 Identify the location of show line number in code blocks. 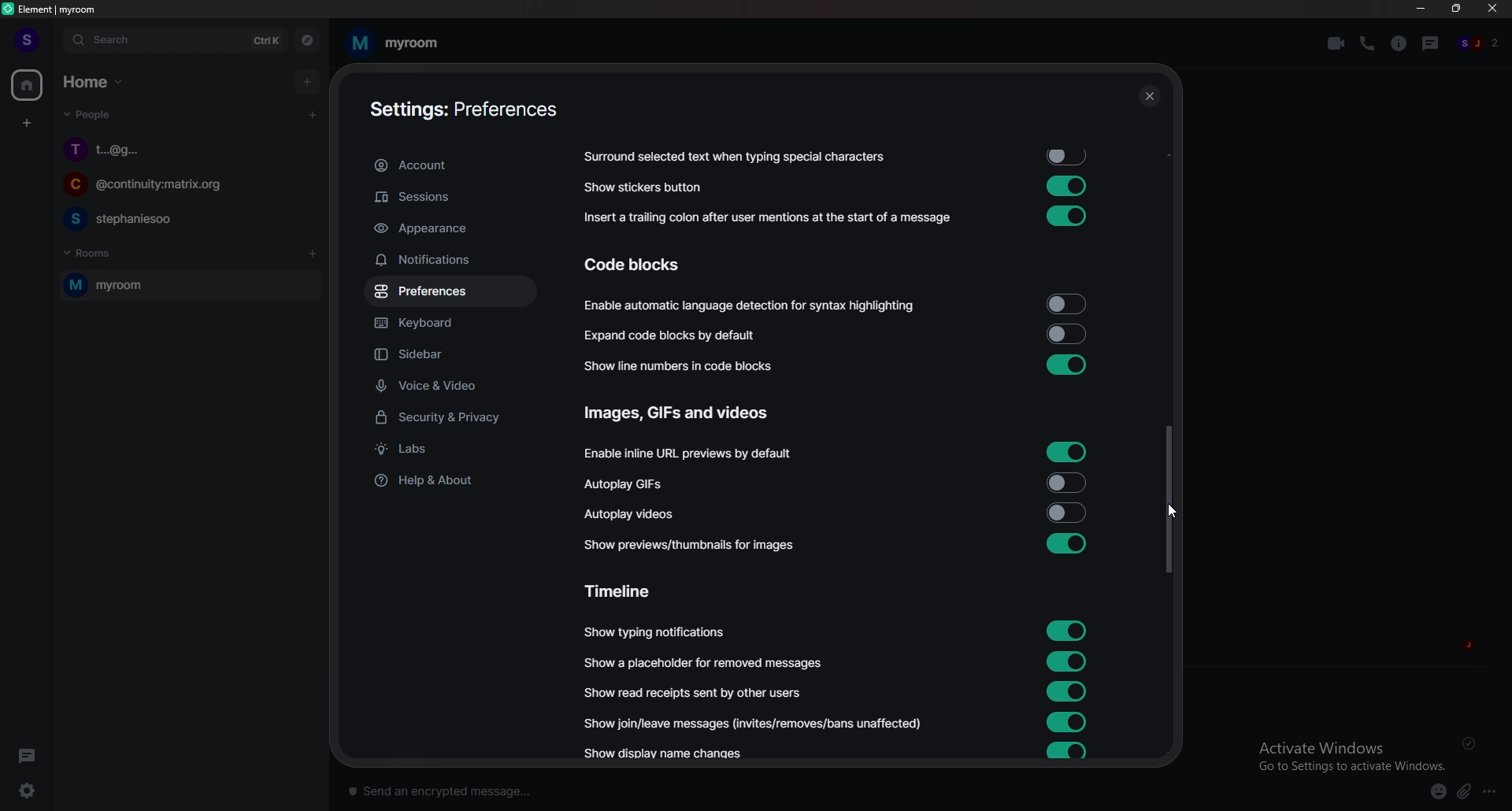
(687, 365).